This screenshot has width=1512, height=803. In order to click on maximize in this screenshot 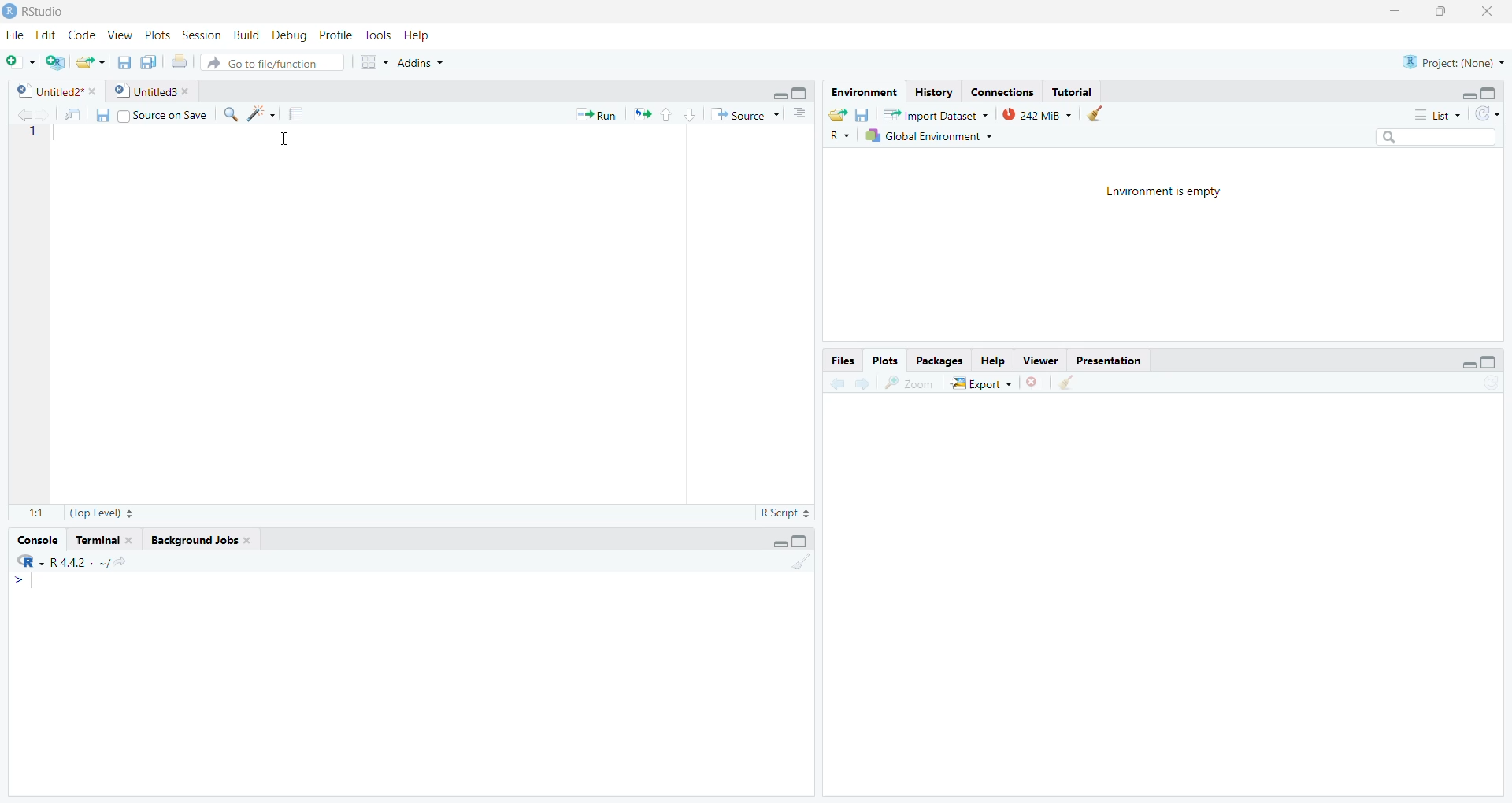, I will do `click(801, 93)`.